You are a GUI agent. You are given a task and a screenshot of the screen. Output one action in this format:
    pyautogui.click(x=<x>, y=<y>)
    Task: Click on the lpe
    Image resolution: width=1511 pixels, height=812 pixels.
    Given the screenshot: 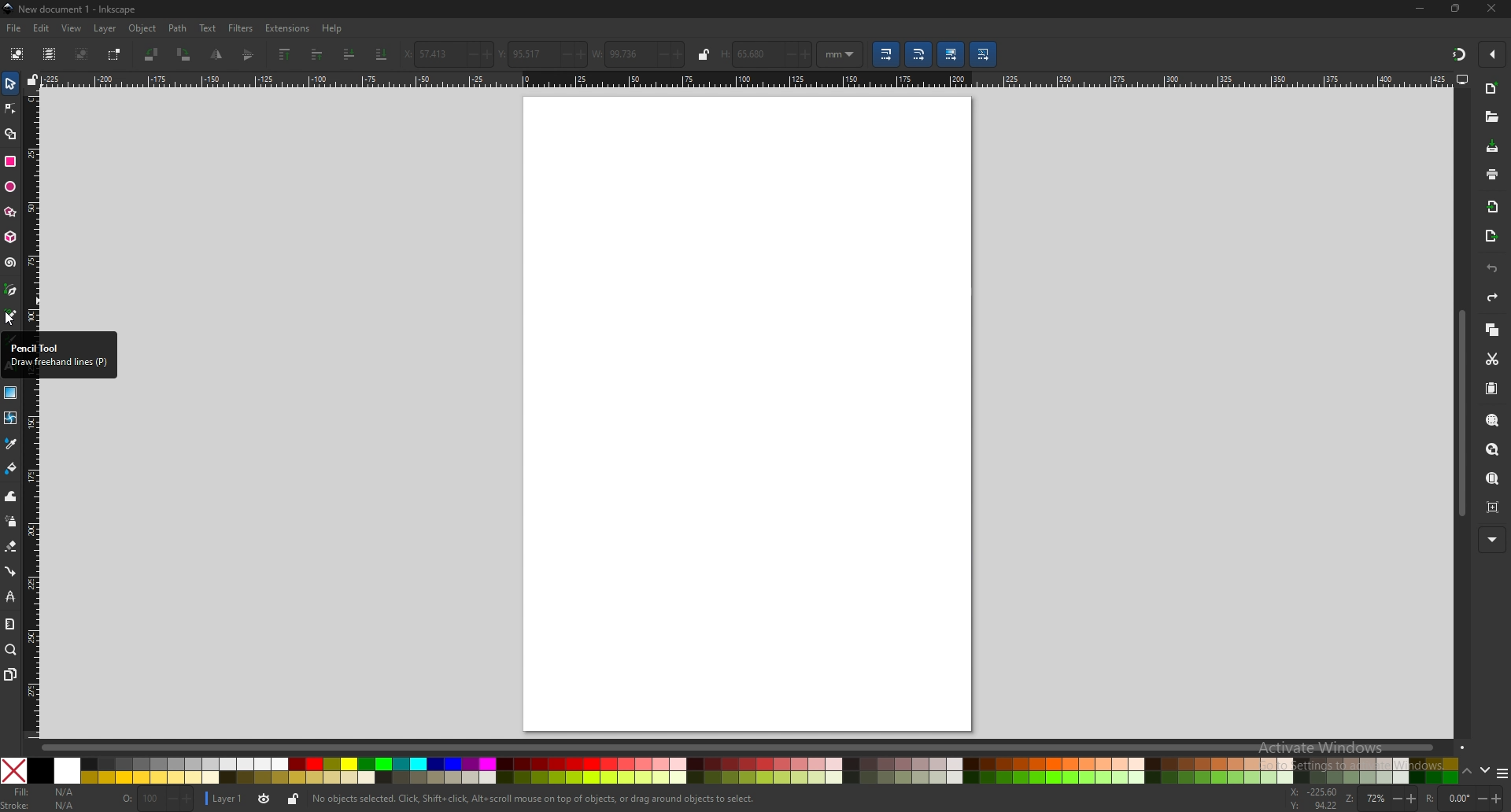 What is the action you would take?
    pyautogui.click(x=10, y=596)
    